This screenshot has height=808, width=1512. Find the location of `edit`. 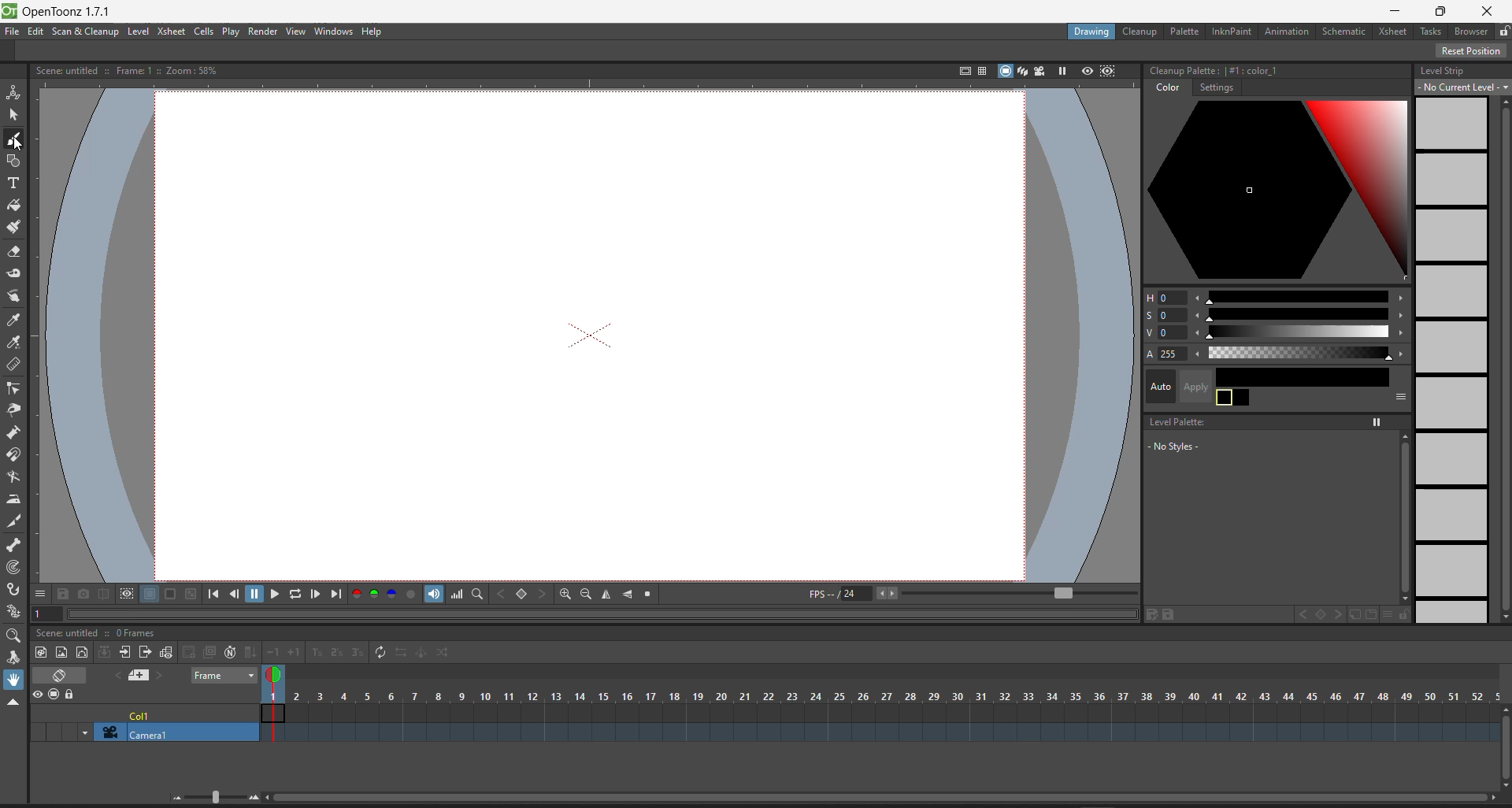

edit is located at coordinates (38, 33).